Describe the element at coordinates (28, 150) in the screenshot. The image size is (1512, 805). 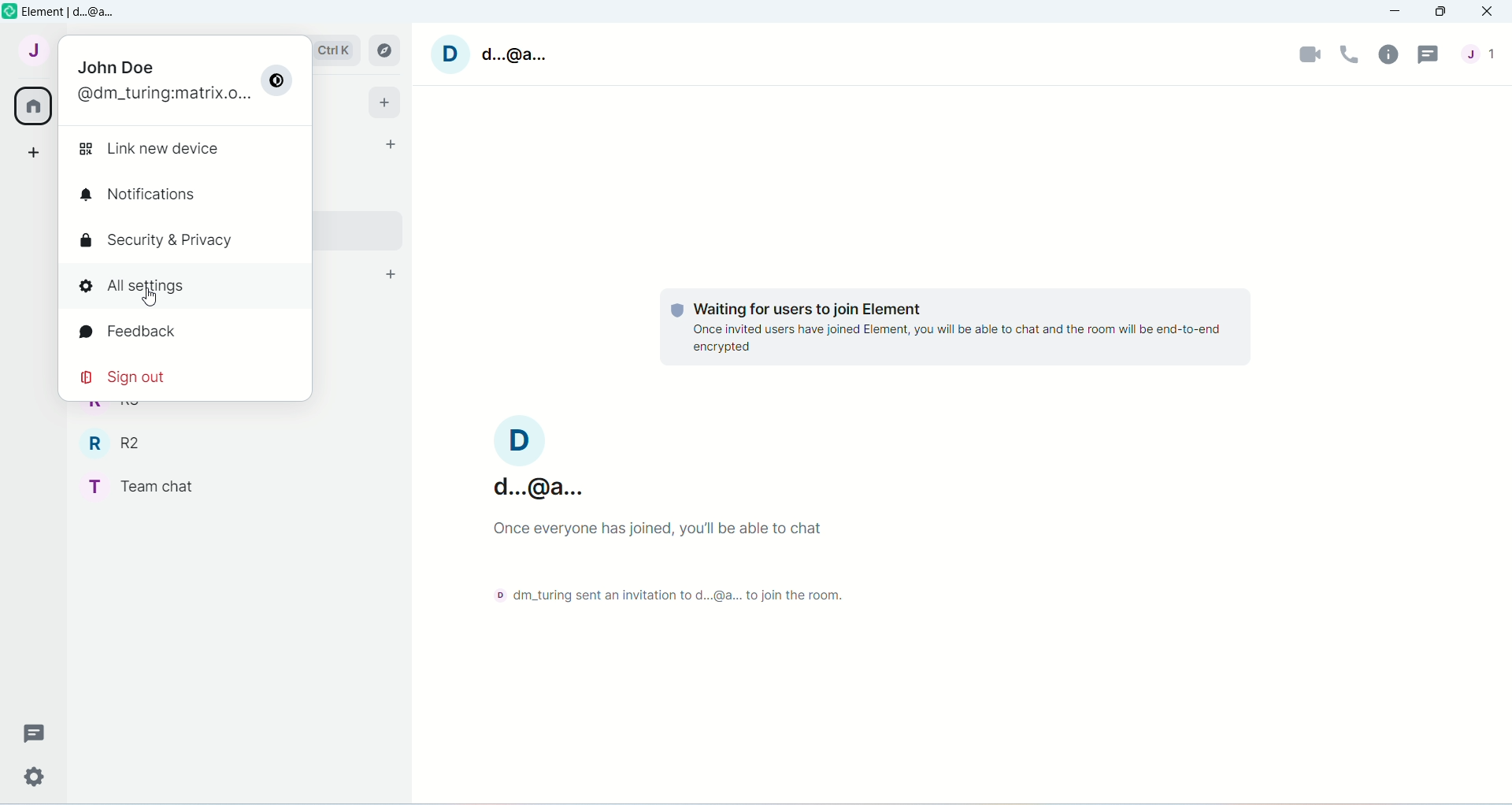
I see `Create a space` at that location.